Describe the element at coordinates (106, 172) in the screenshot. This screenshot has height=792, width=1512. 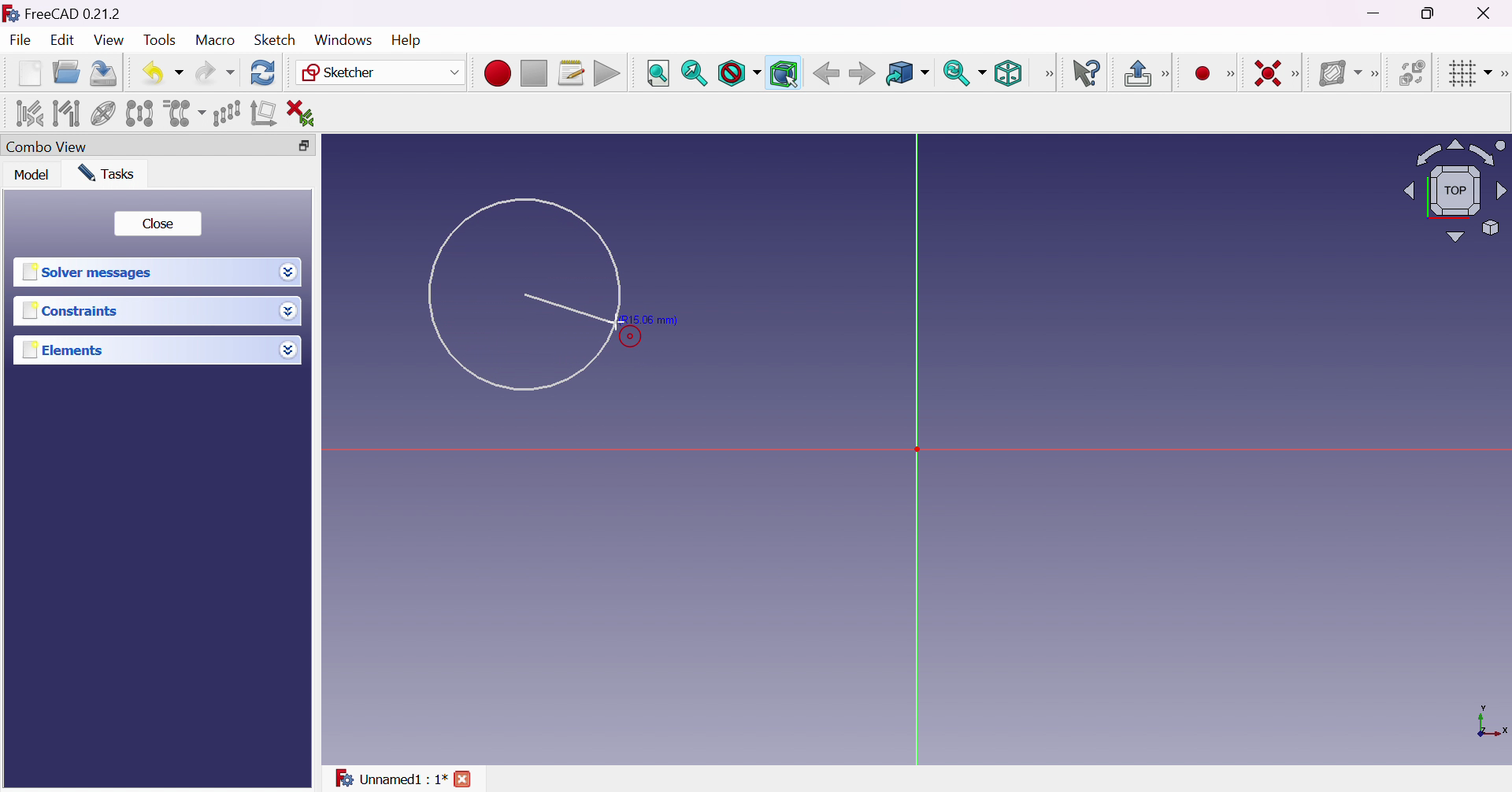
I see `Tasks` at that location.